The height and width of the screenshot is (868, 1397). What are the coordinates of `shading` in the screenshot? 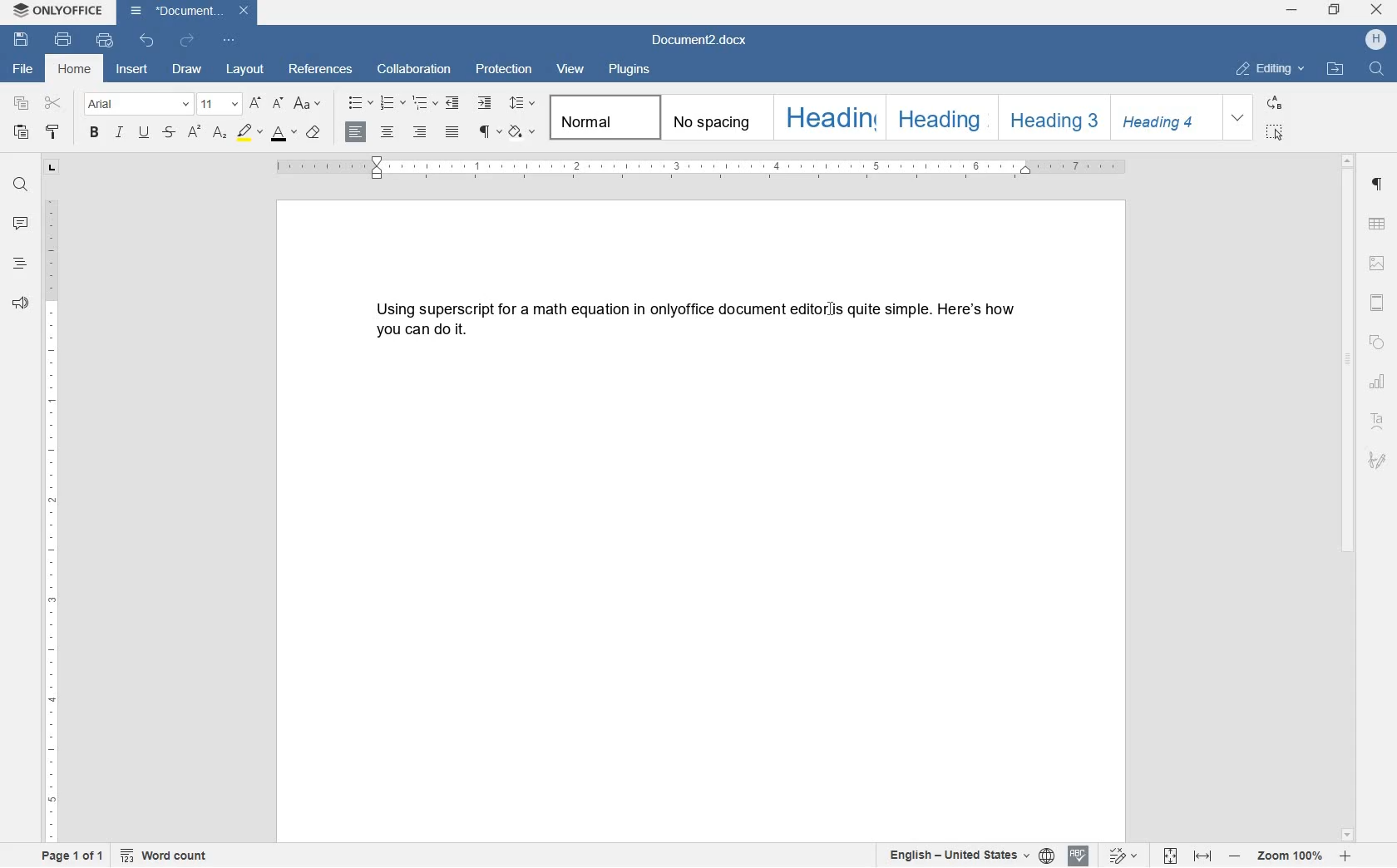 It's located at (521, 133).